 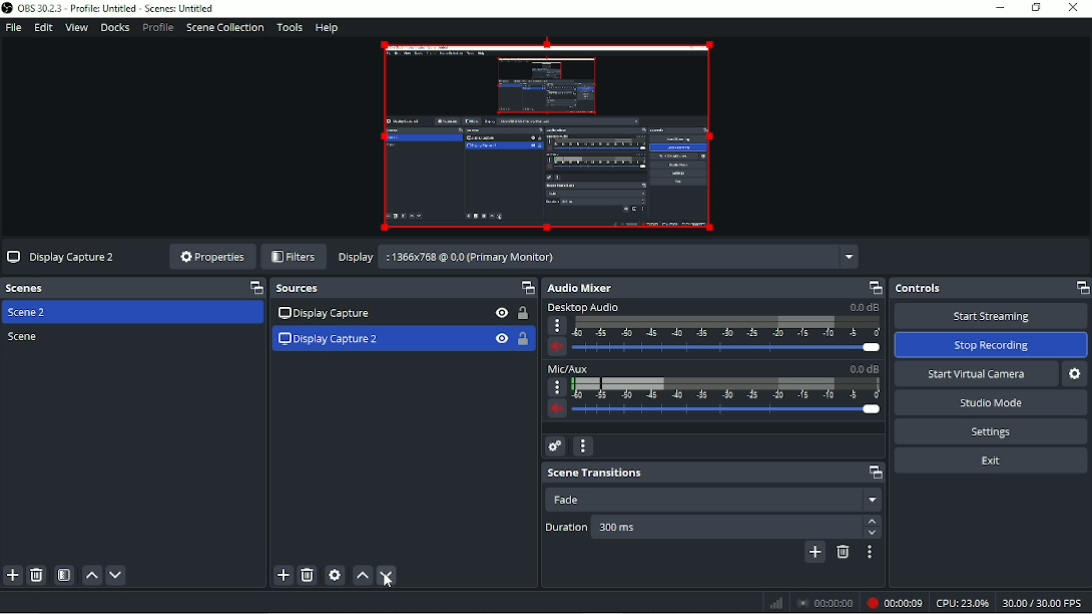 What do you see at coordinates (713, 392) in the screenshot?
I see `Mic/AUX slider` at bounding box center [713, 392].